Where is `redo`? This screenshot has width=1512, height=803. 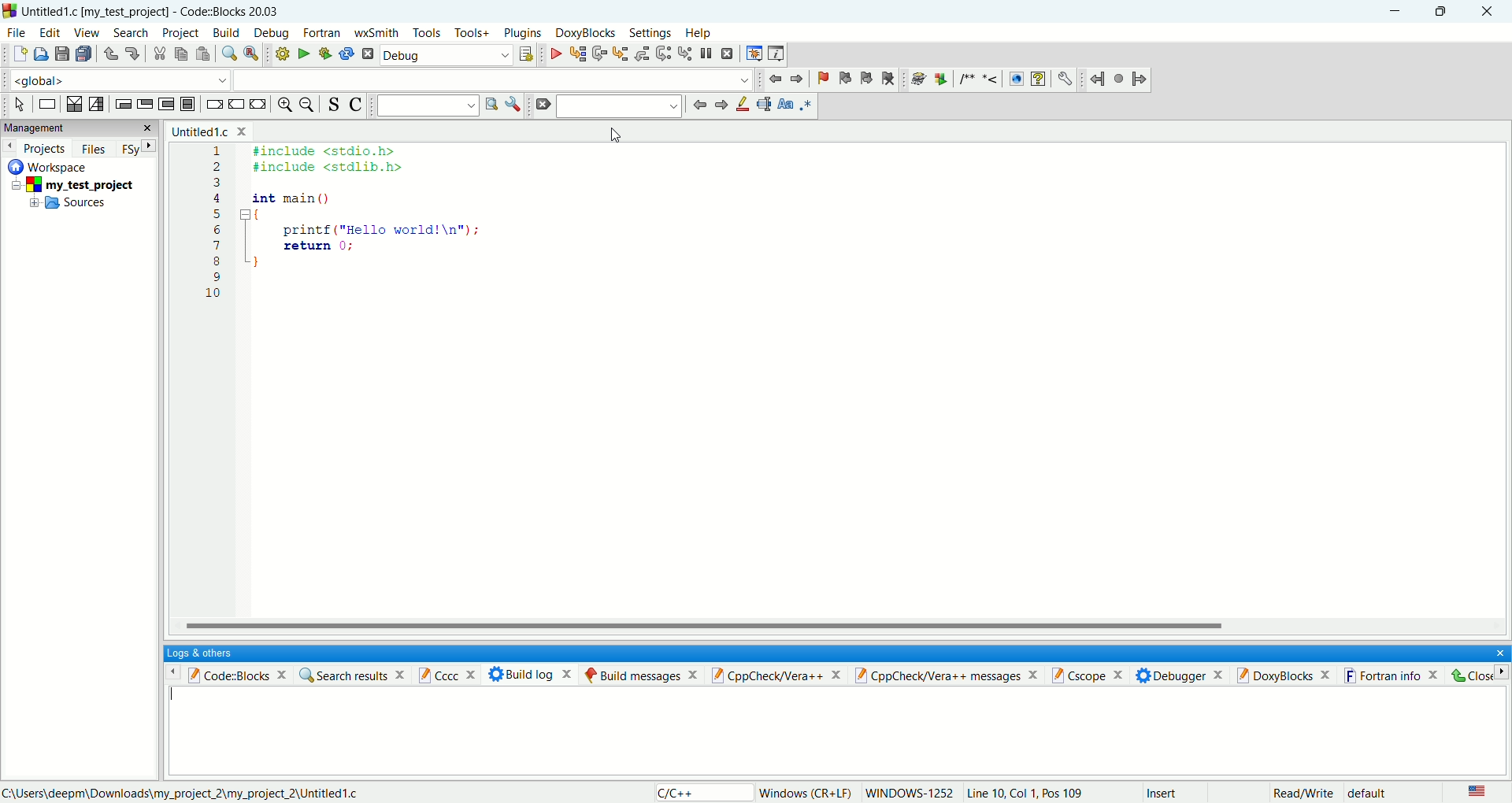
redo is located at coordinates (128, 52).